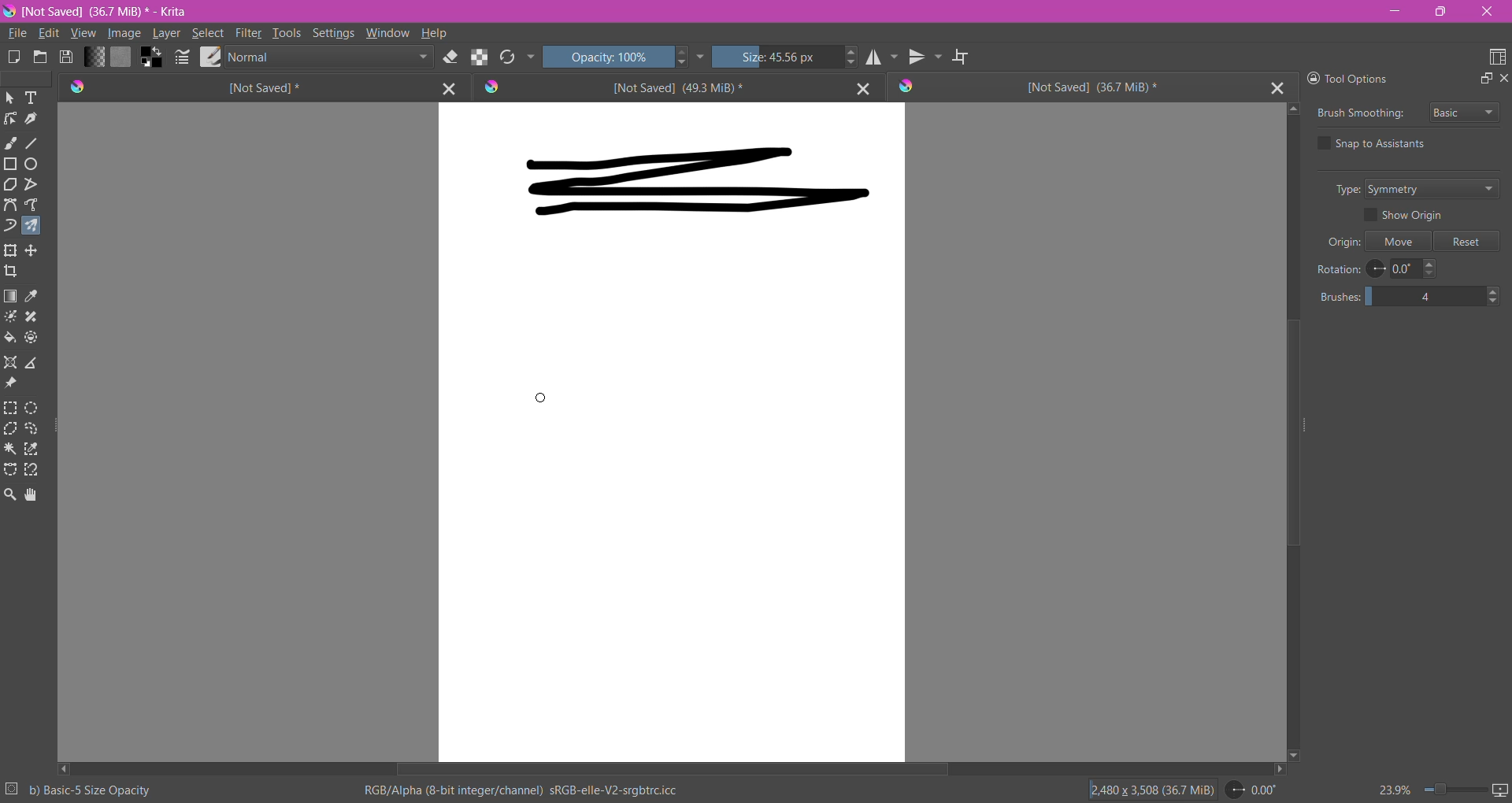  What do you see at coordinates (1278, 87) in the screenshot?
I see `Close Tab` at bounding box center [1278, 87].